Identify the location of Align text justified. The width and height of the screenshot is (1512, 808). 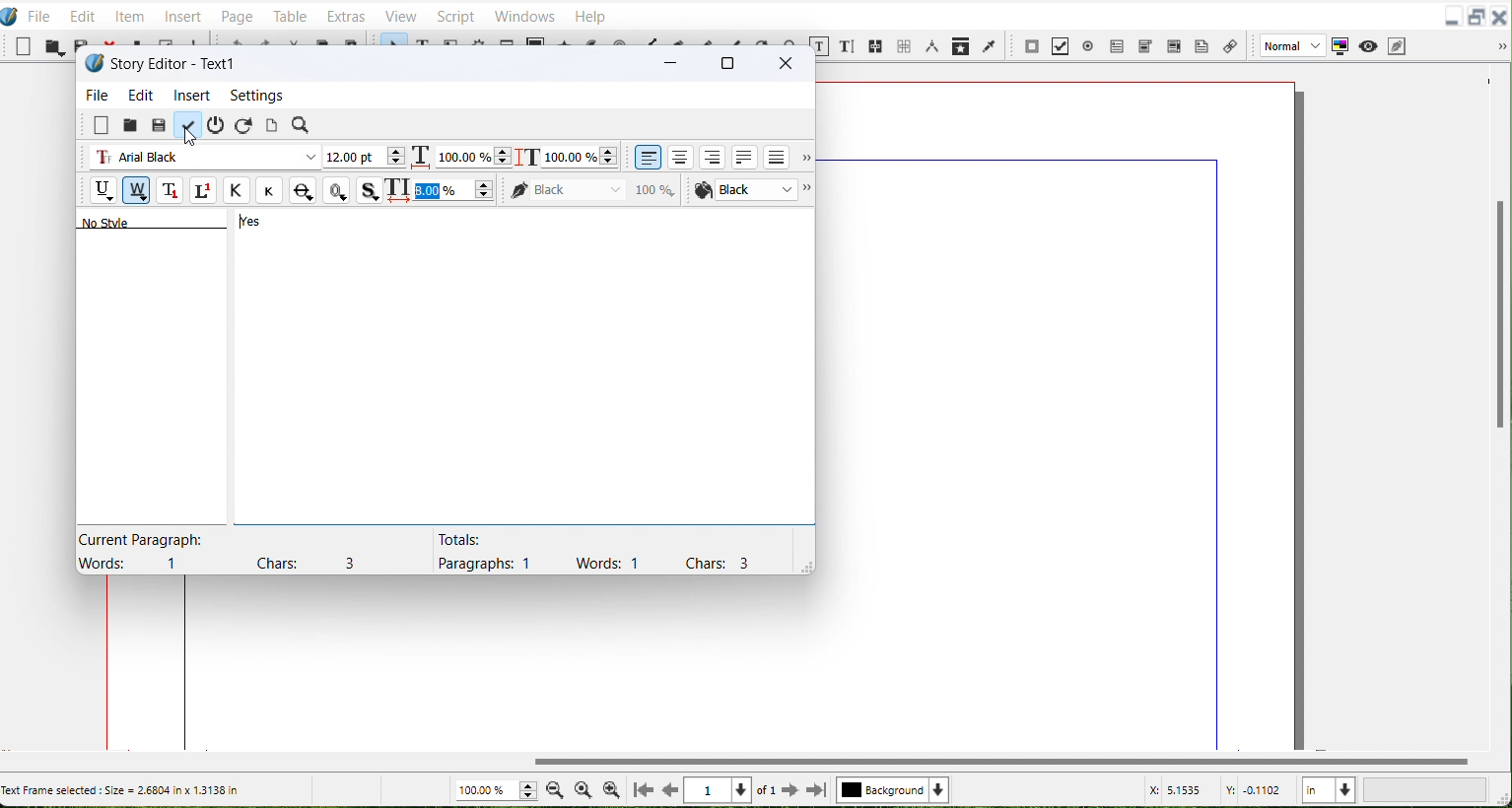
(745, 156).